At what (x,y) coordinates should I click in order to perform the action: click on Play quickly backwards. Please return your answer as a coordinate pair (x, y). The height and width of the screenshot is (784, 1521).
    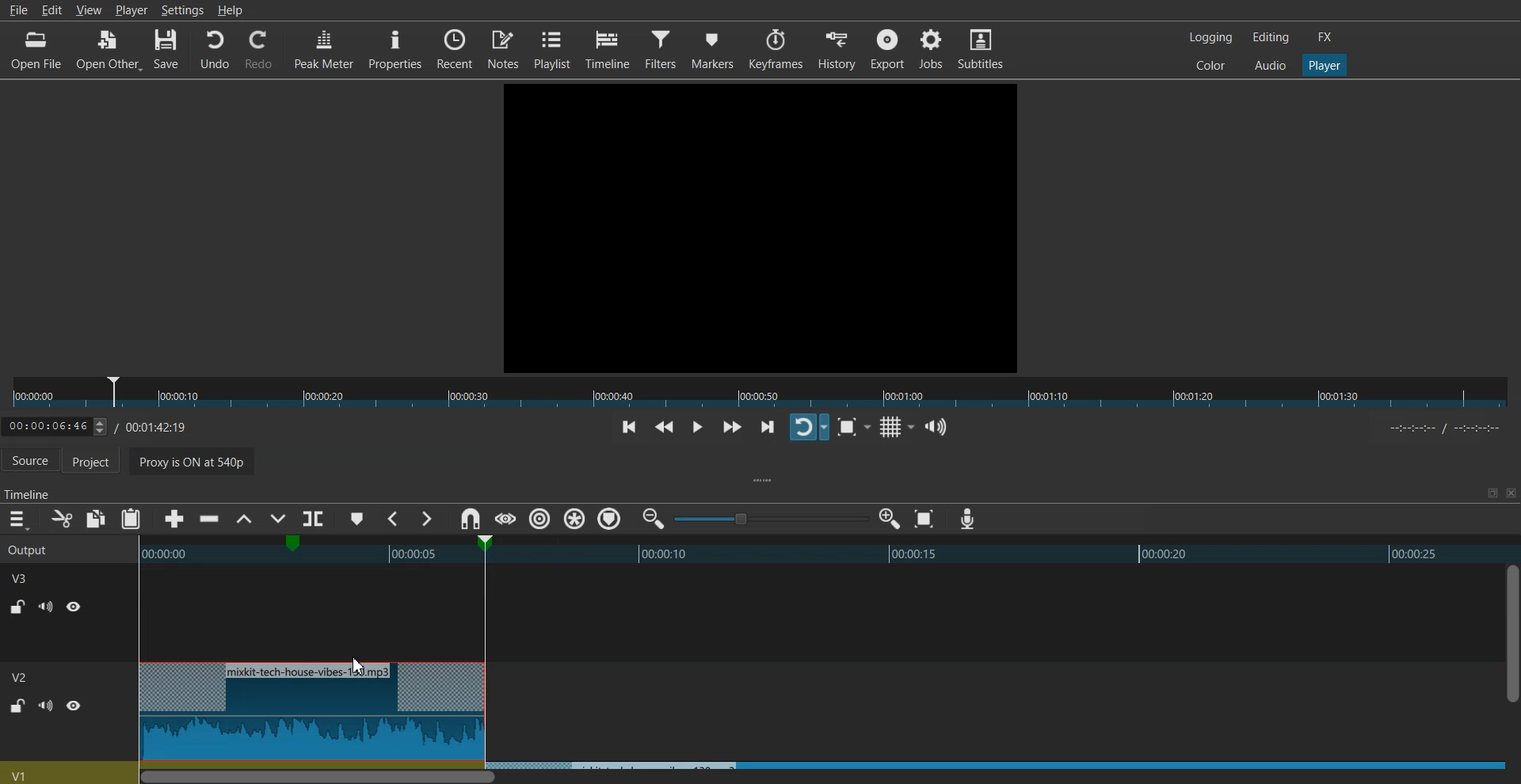
    Looking at the image, I should click on (665, 428).